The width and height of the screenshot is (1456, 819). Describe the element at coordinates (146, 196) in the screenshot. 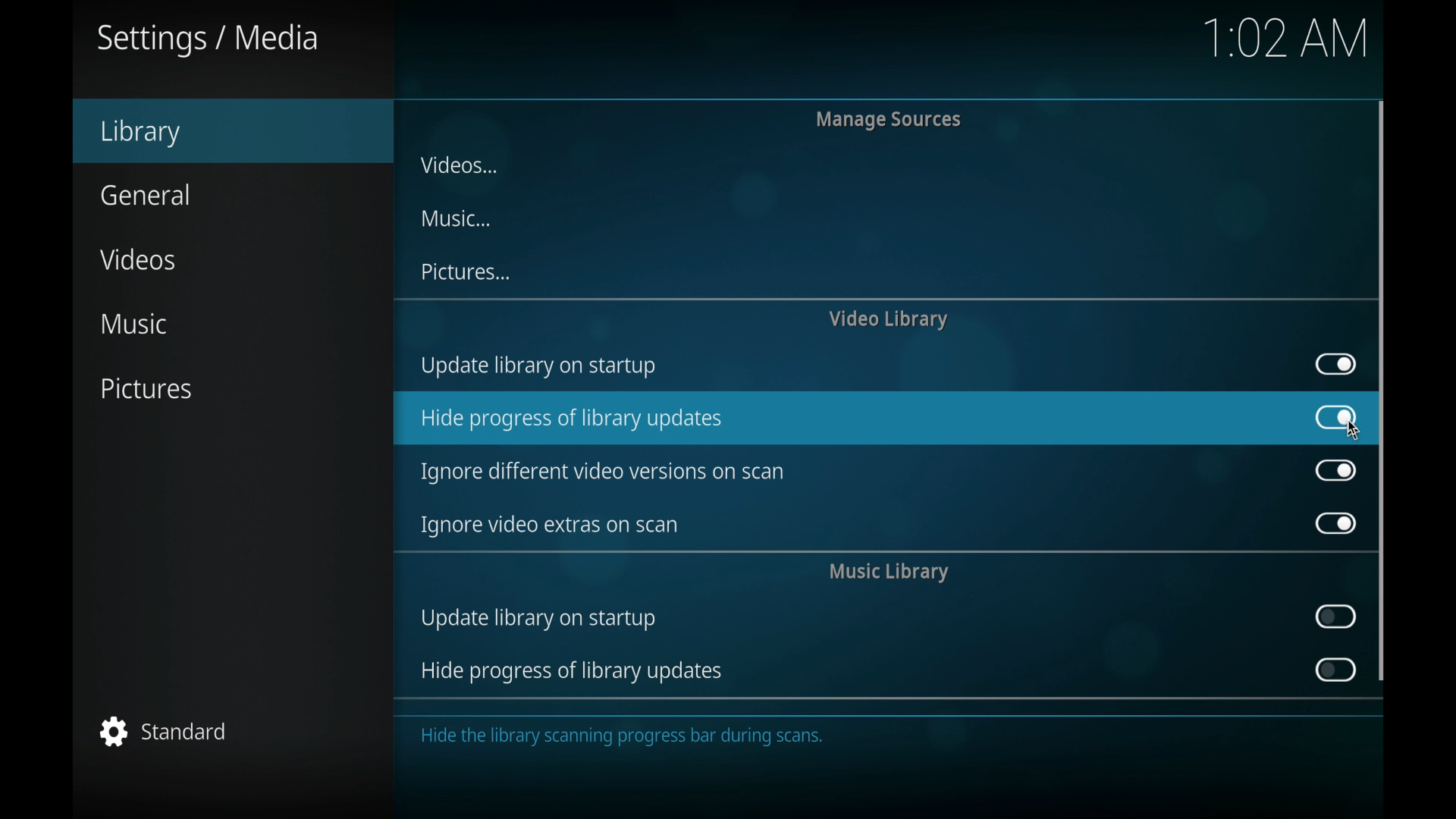

I see `general` at that location.